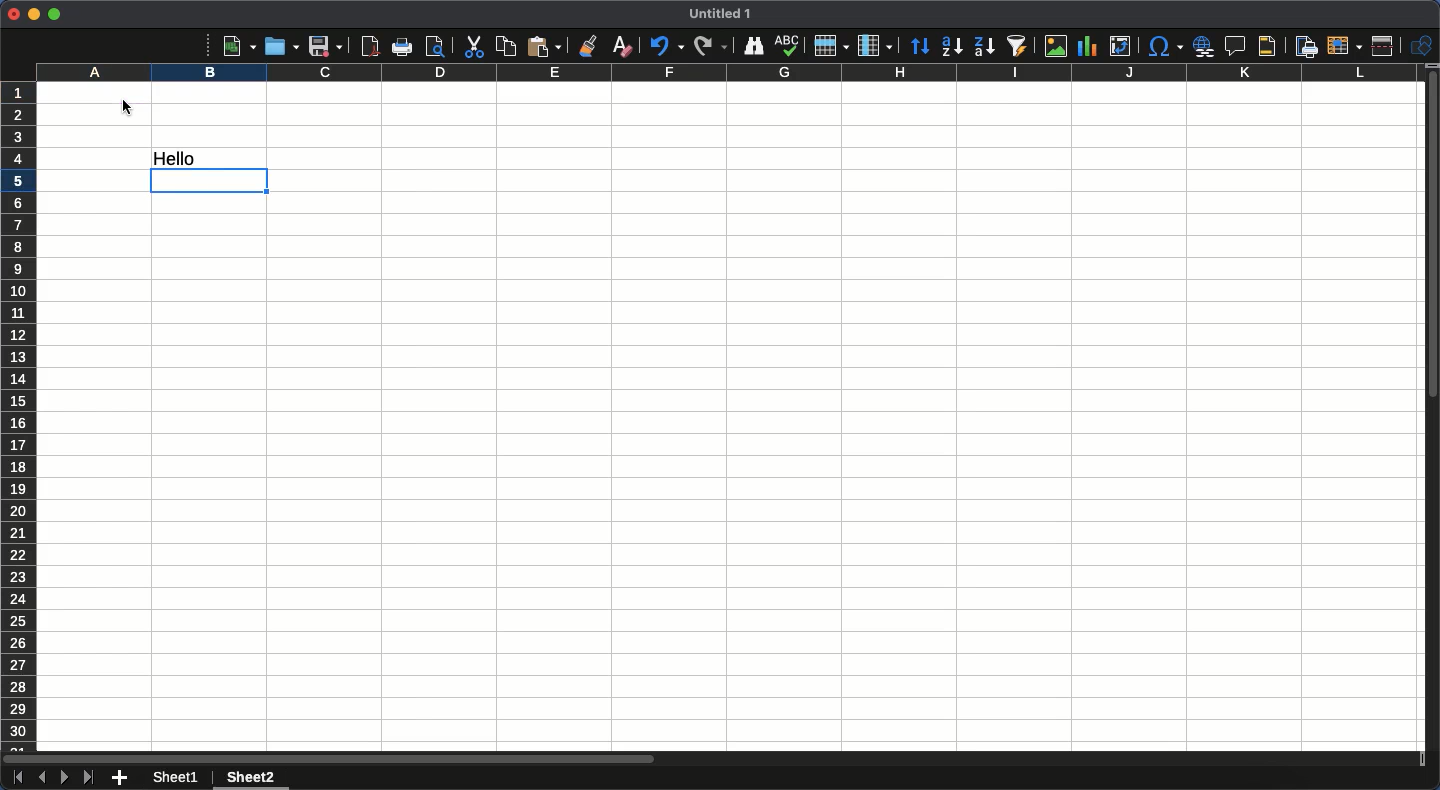 The height and width of the screenshot is (790, 1440). I want to click on Sheet 1, so click(179, 778).